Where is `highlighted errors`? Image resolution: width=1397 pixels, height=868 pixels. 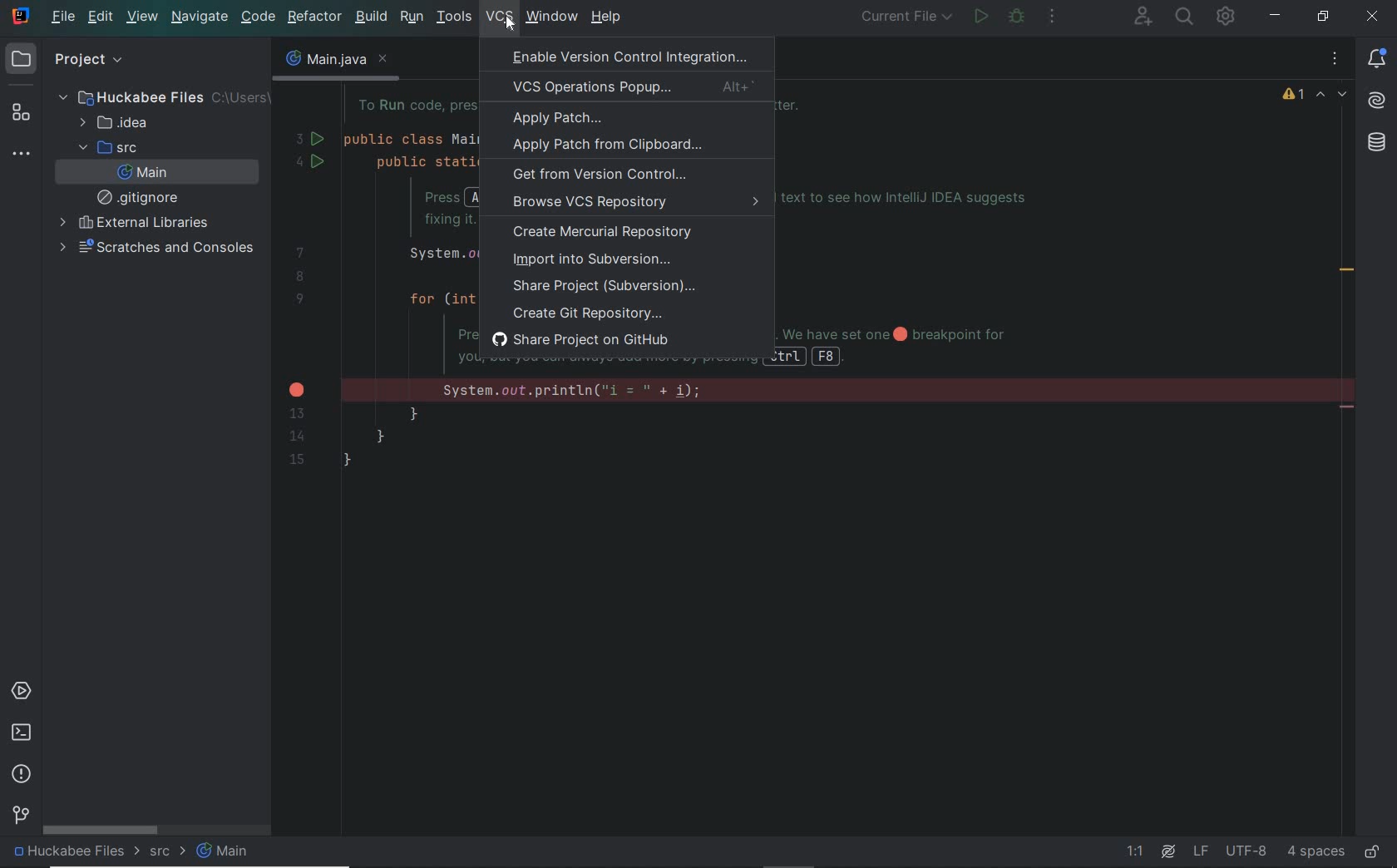
highlighted errors is located at coordinates (1334, 96).